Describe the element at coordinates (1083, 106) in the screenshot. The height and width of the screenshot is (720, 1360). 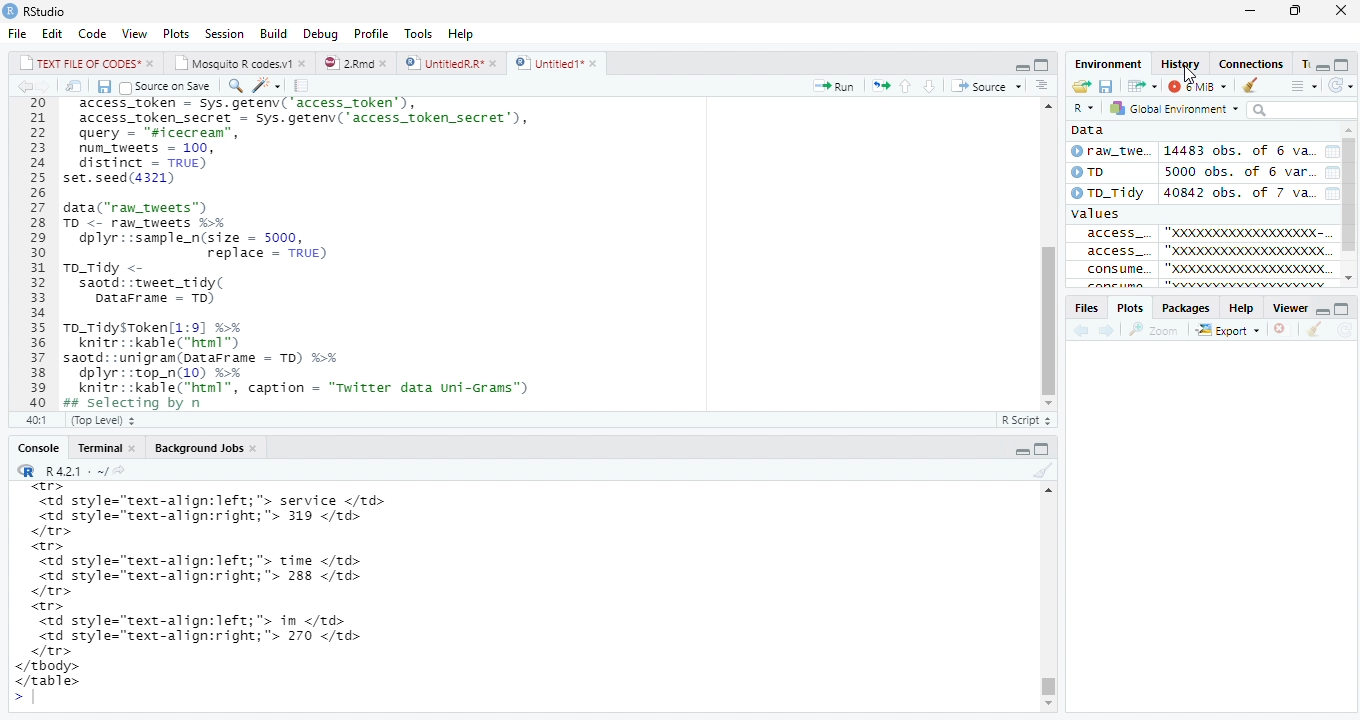
I see `R` at that location.